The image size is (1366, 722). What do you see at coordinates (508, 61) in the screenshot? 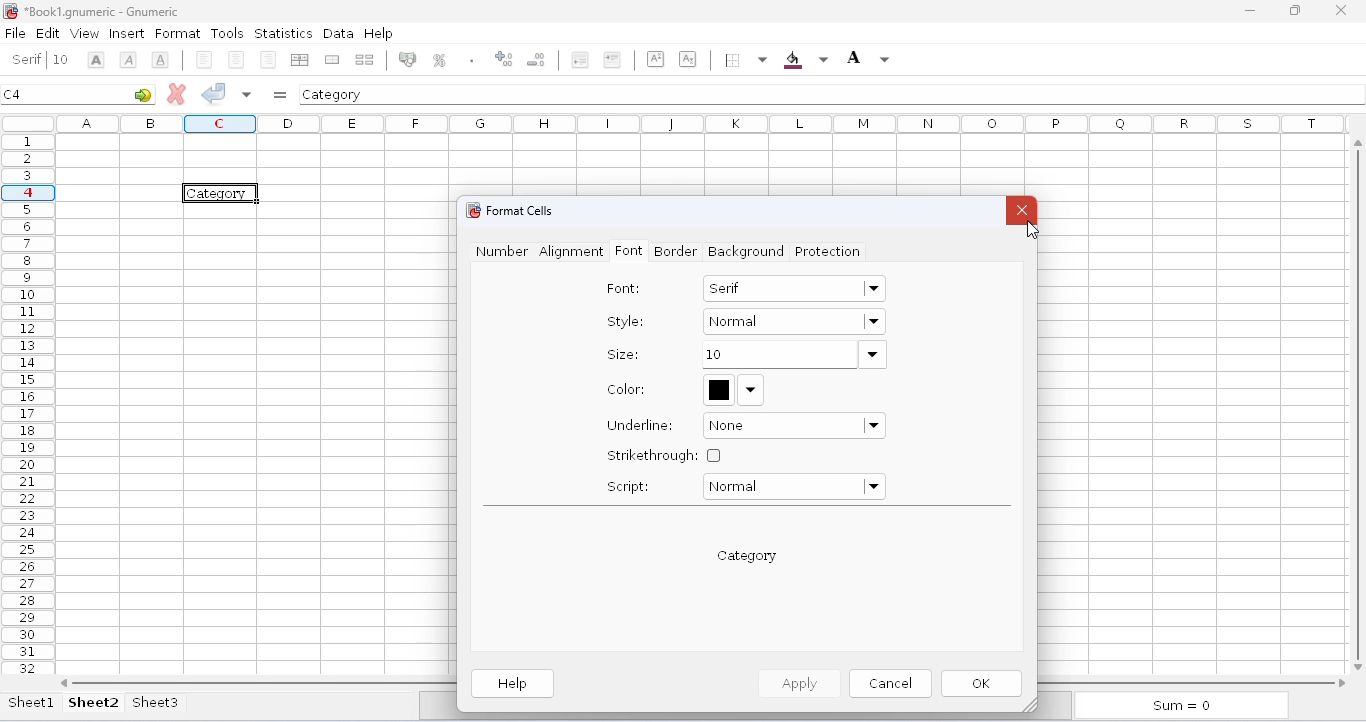
I see `set the format of the selected cells to include a thousands separator` at bounding box center [508, 61].